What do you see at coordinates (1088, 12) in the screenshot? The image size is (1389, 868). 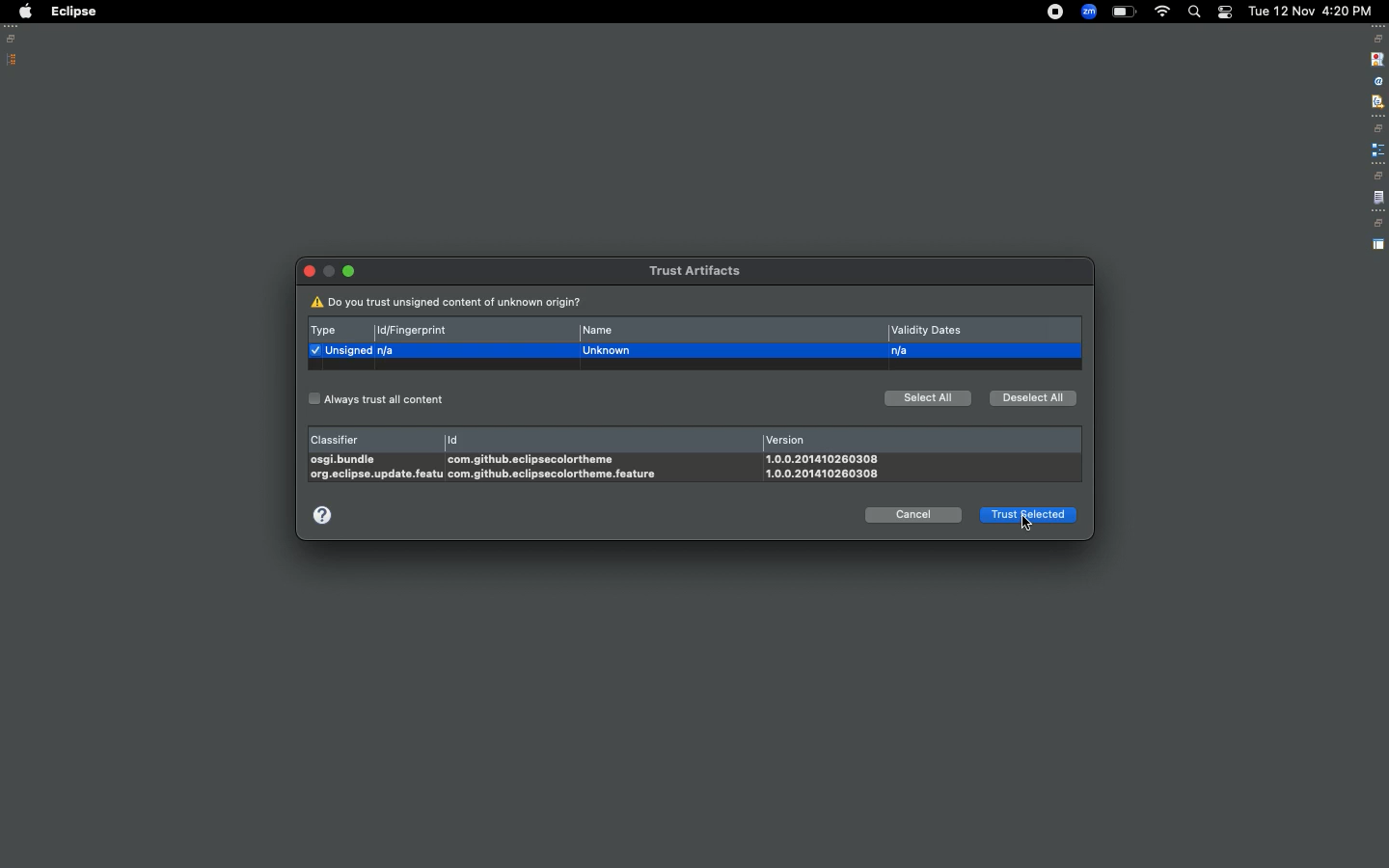 I see `Zoom` at bounding box center [1088, 12].